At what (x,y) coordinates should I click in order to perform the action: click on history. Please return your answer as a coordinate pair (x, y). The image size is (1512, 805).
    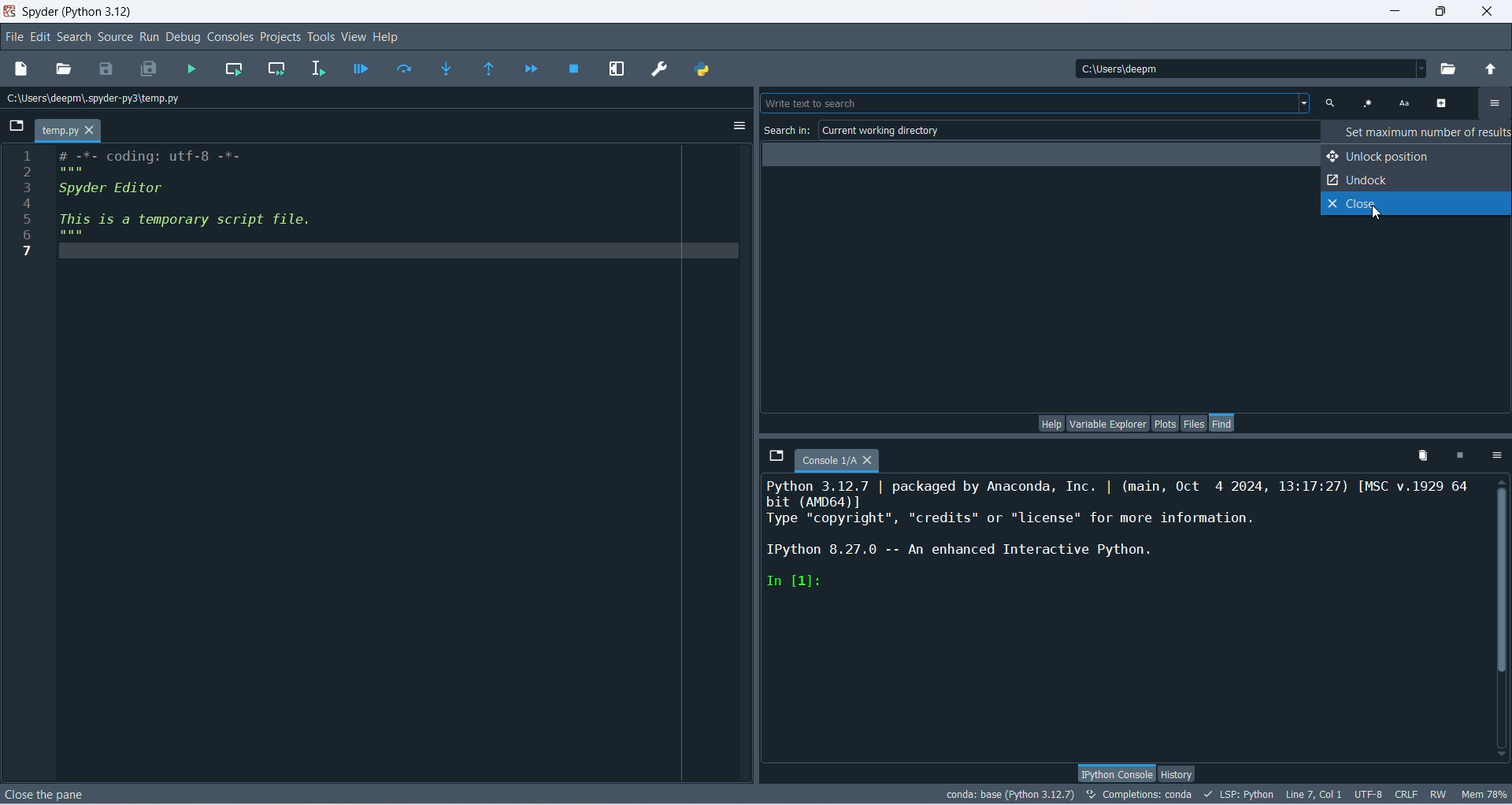
    Looking at the image, I should click on (1176, 775).